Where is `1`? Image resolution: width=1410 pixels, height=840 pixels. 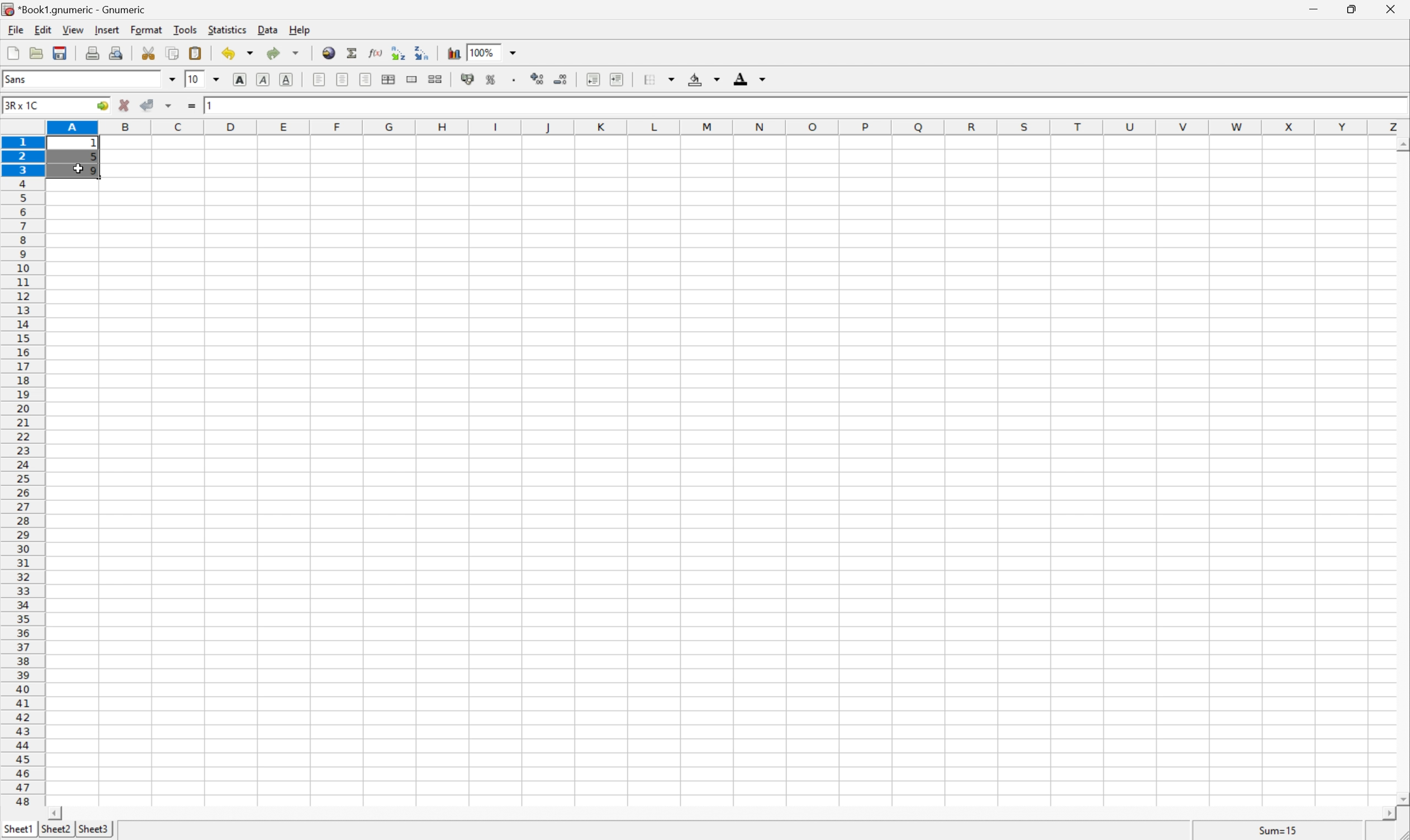 1 is located at coordinates (212, 104).